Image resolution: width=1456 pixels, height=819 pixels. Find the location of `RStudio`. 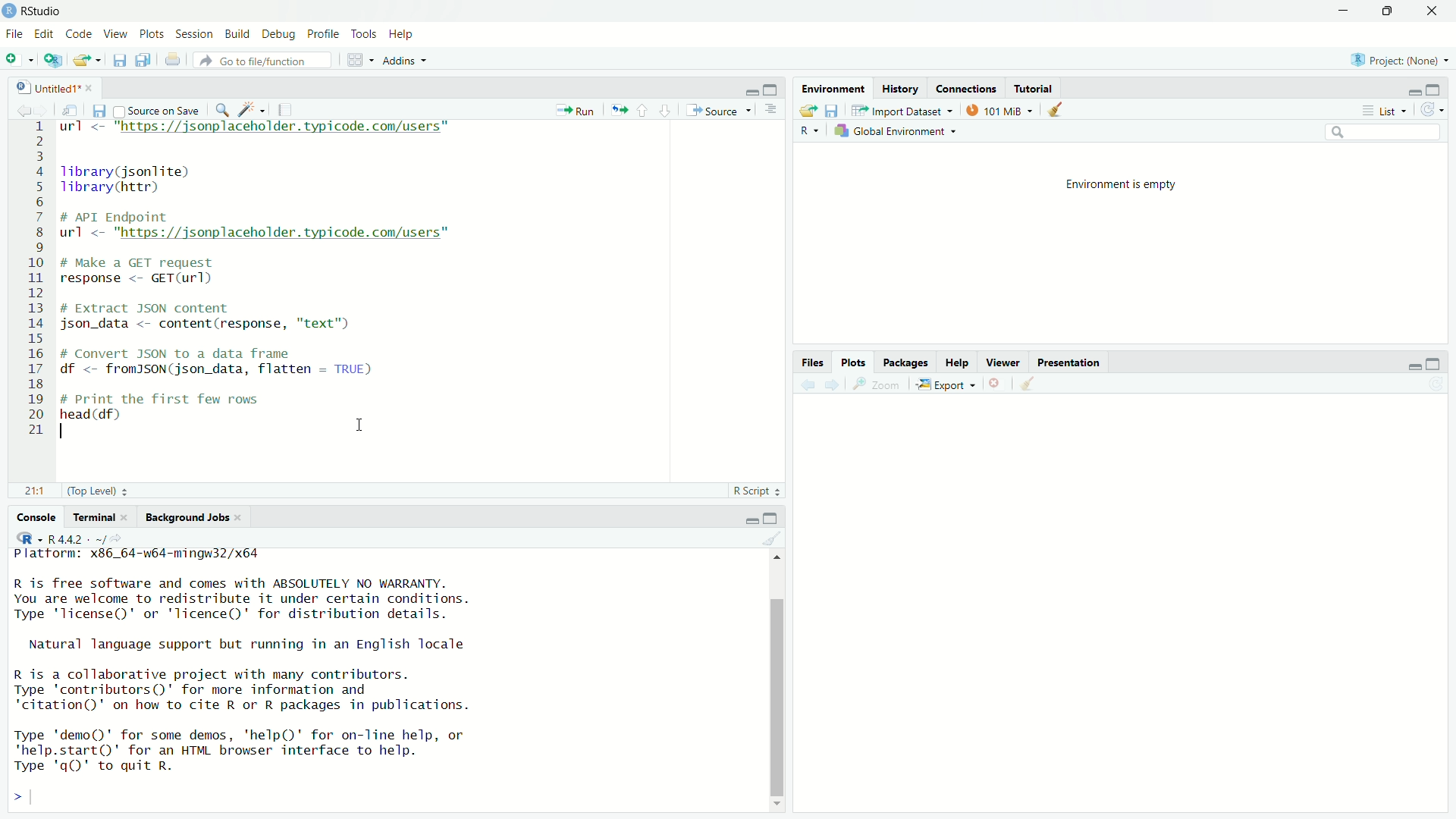

RStudio is located at coordinates (33, 11).